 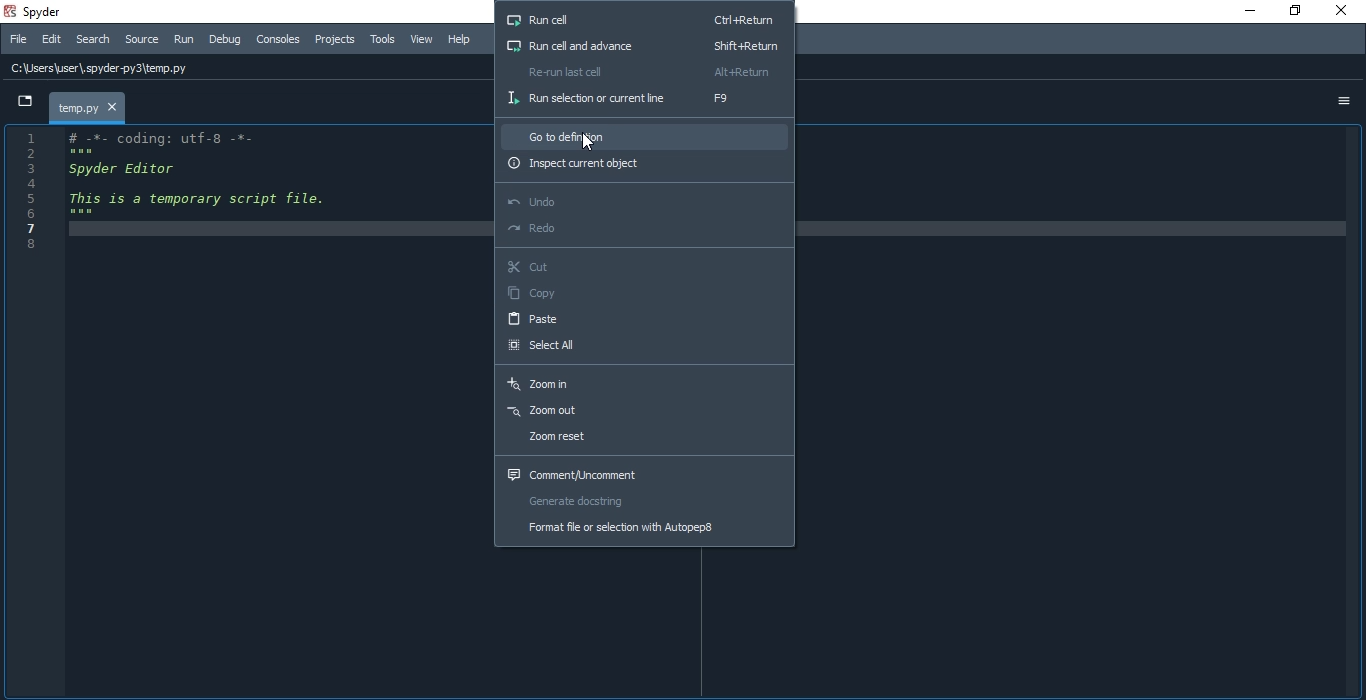 I want to click on spyder, so click(x=44, y=10).